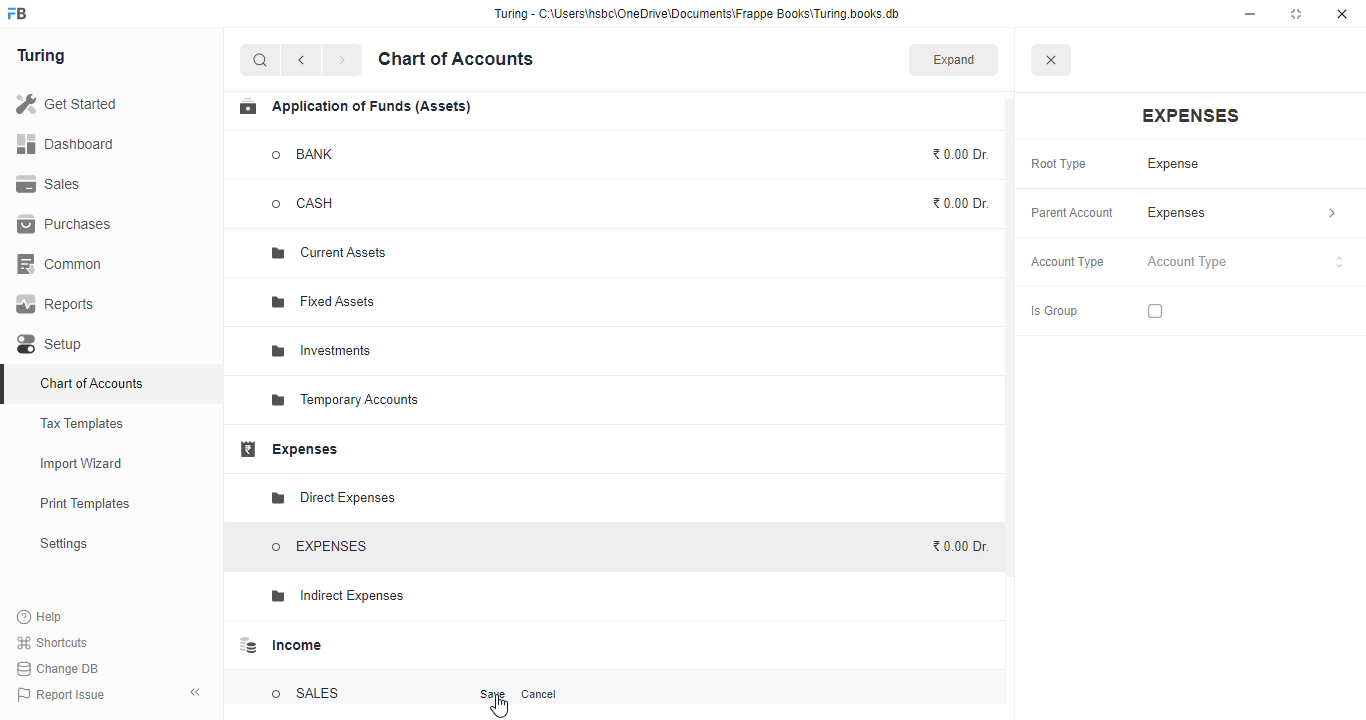 This screenshot has height=720, width=1366. I want to click on get started, so click(66, 103).